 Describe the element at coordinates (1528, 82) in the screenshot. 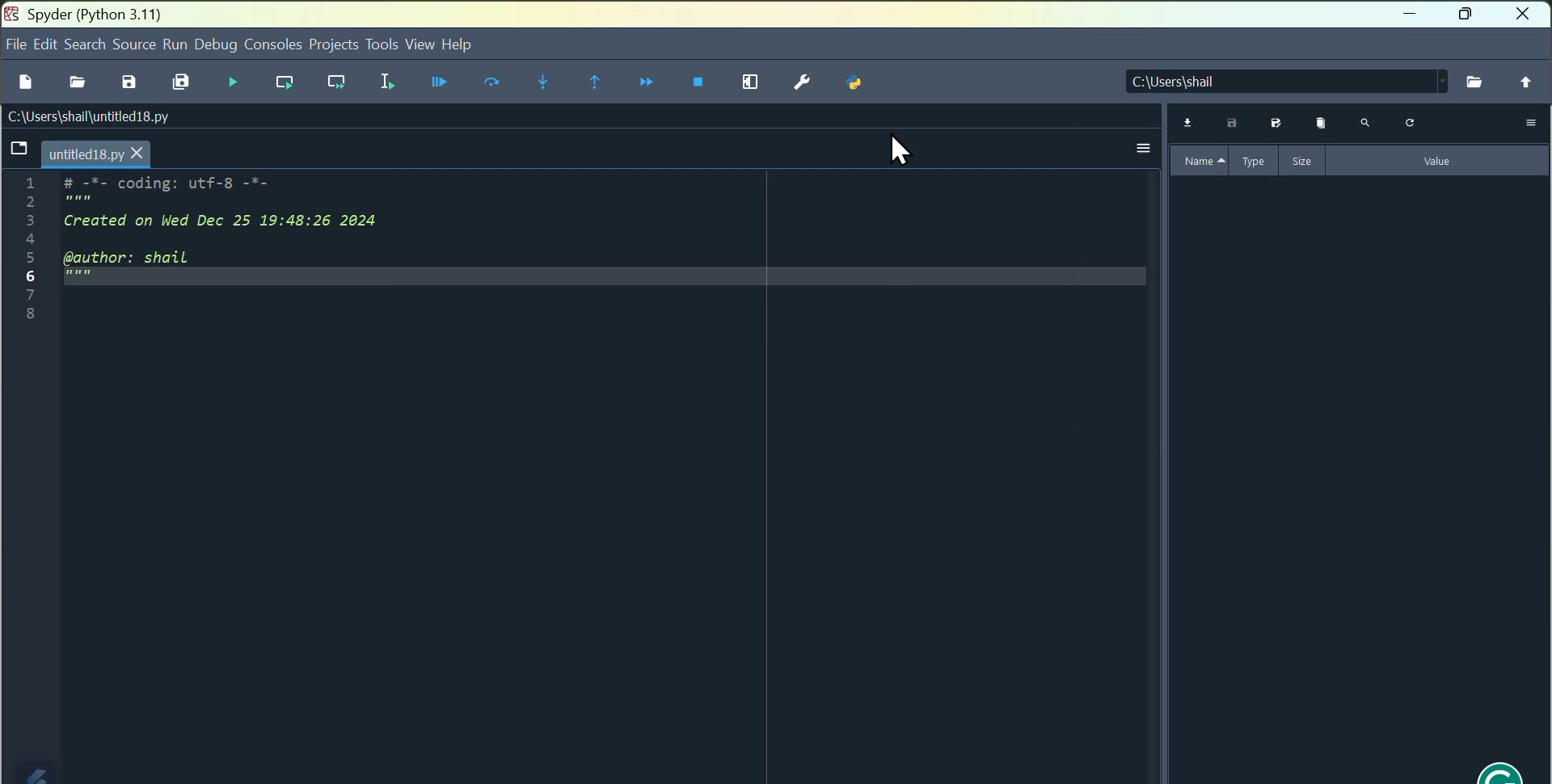

I see `change to parent directory` at that location.